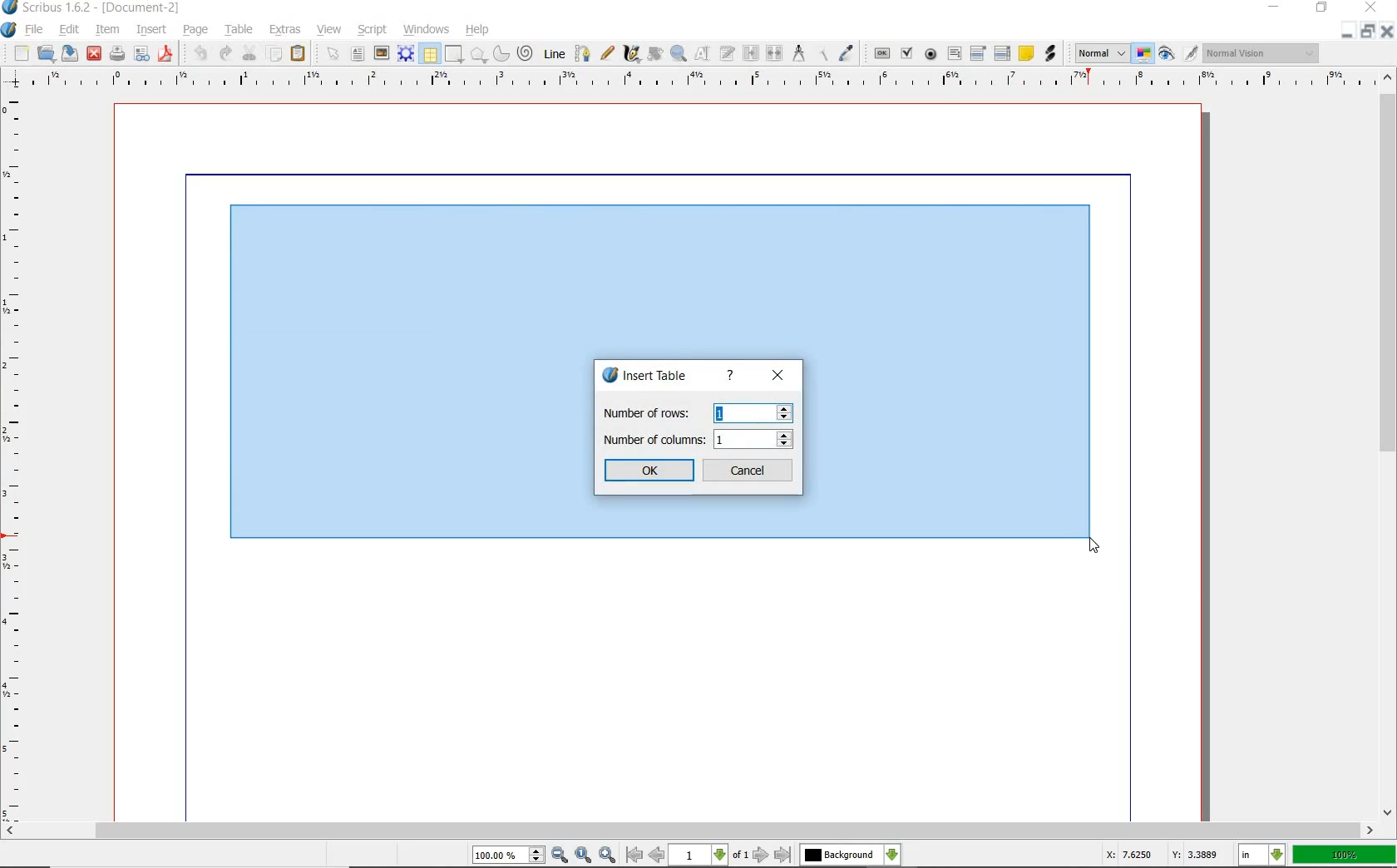  What do you see at coordinates (979, 53) in the screenshot?
I see `pdf combo box` at bounding box center [979, 53].